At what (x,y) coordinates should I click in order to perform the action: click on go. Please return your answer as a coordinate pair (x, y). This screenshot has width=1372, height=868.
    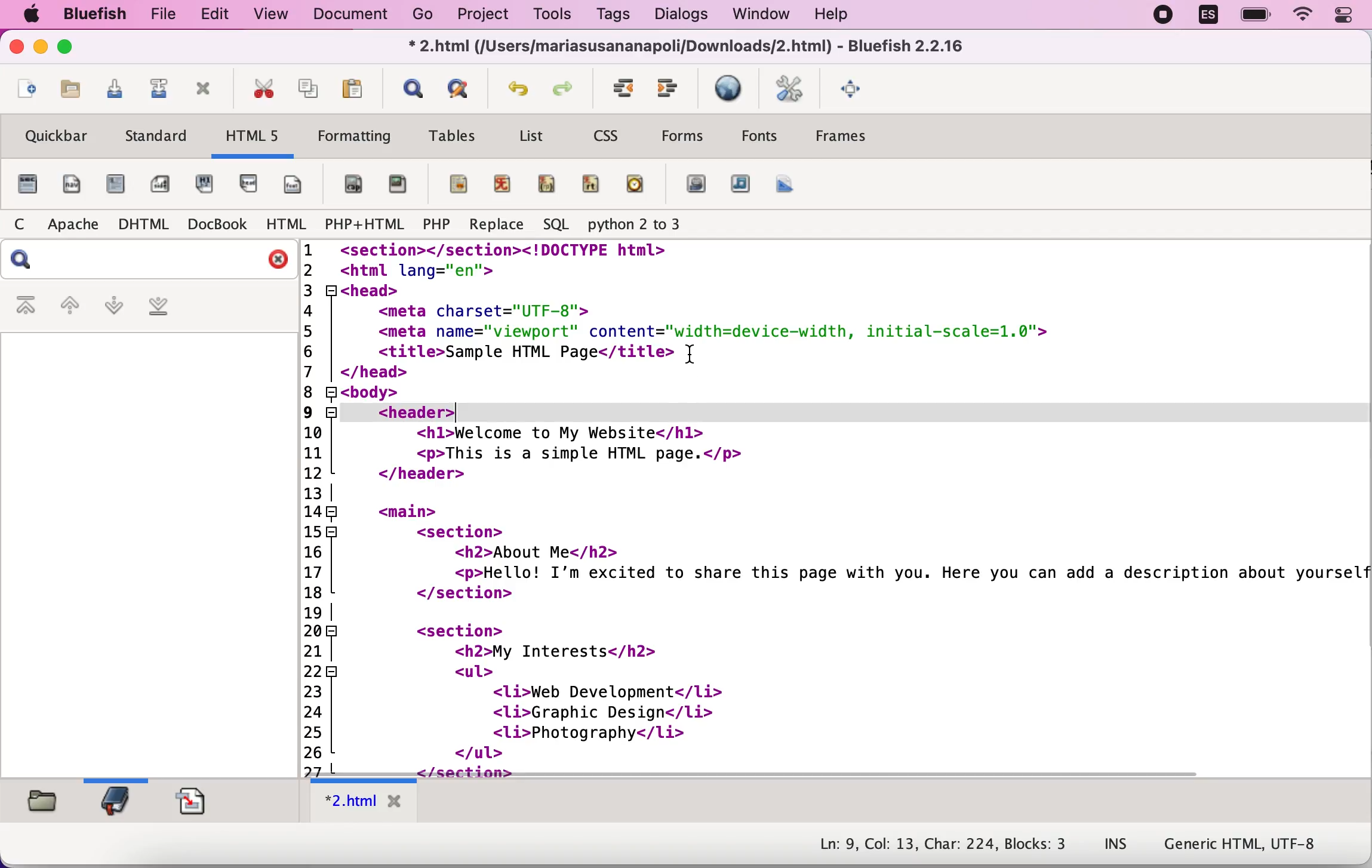
    Looking at the image, I should click on (424, 17).